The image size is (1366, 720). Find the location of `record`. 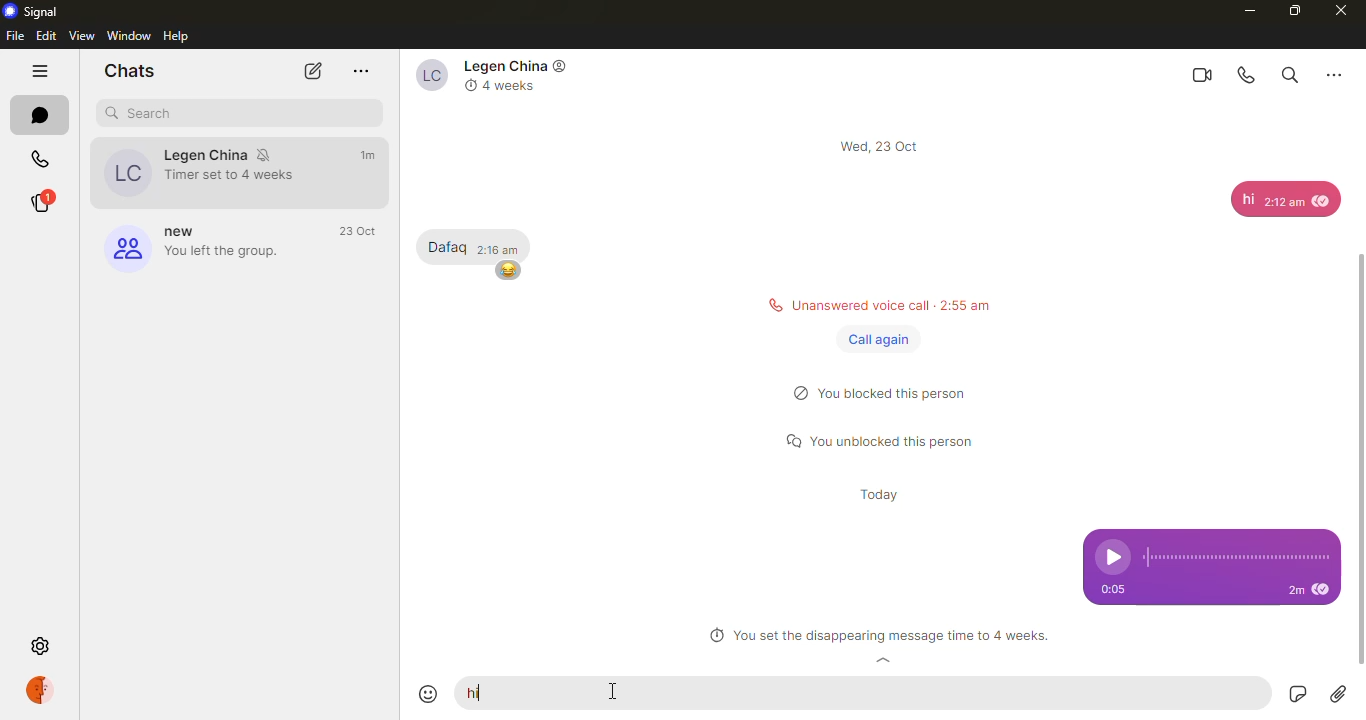

record is located at coordinates (1295, 695).